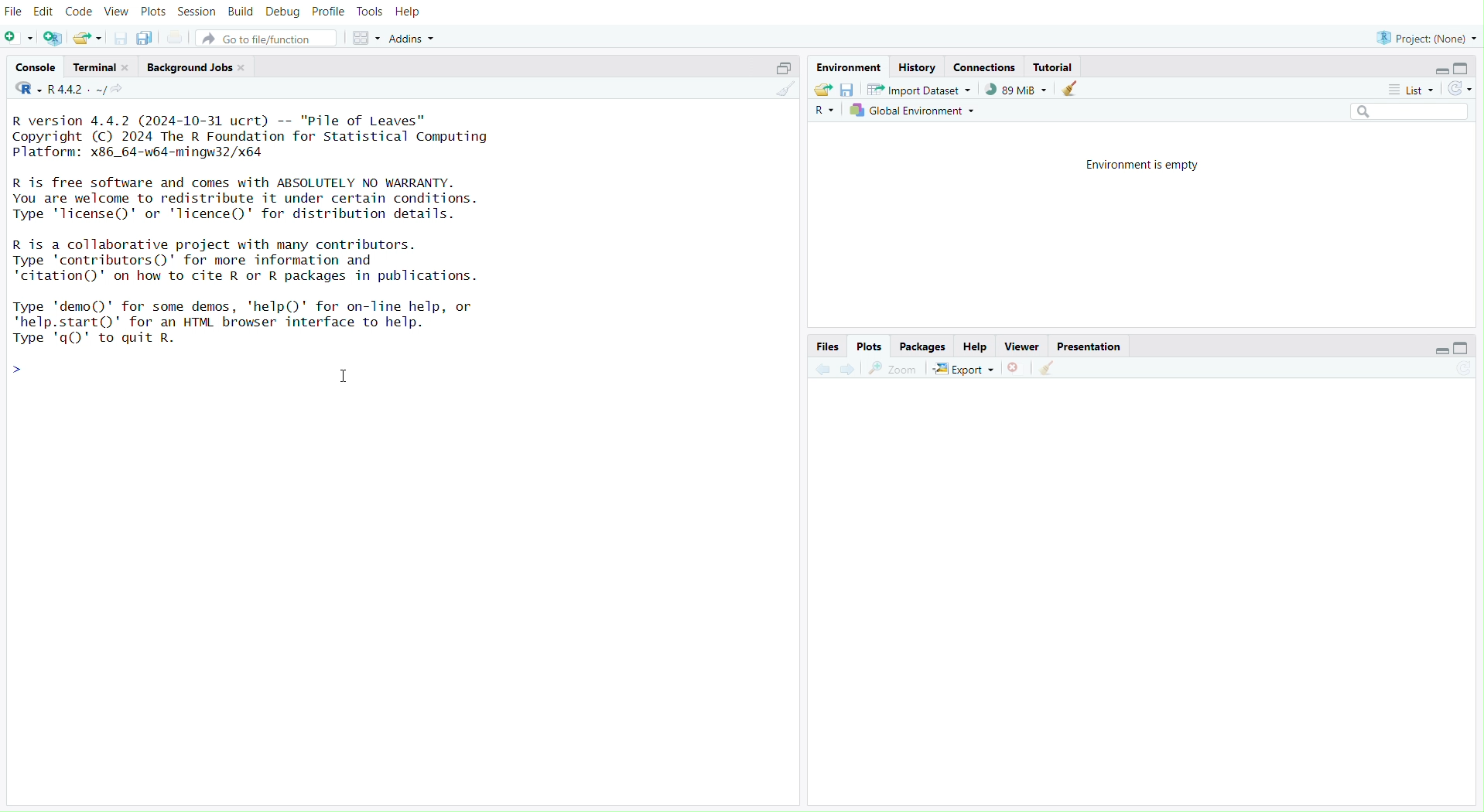 The image size is (1484, 812). What do you see at coordinates (1412, 88) in the screenshot?
I see `List` at bounding box center [1412, 88].